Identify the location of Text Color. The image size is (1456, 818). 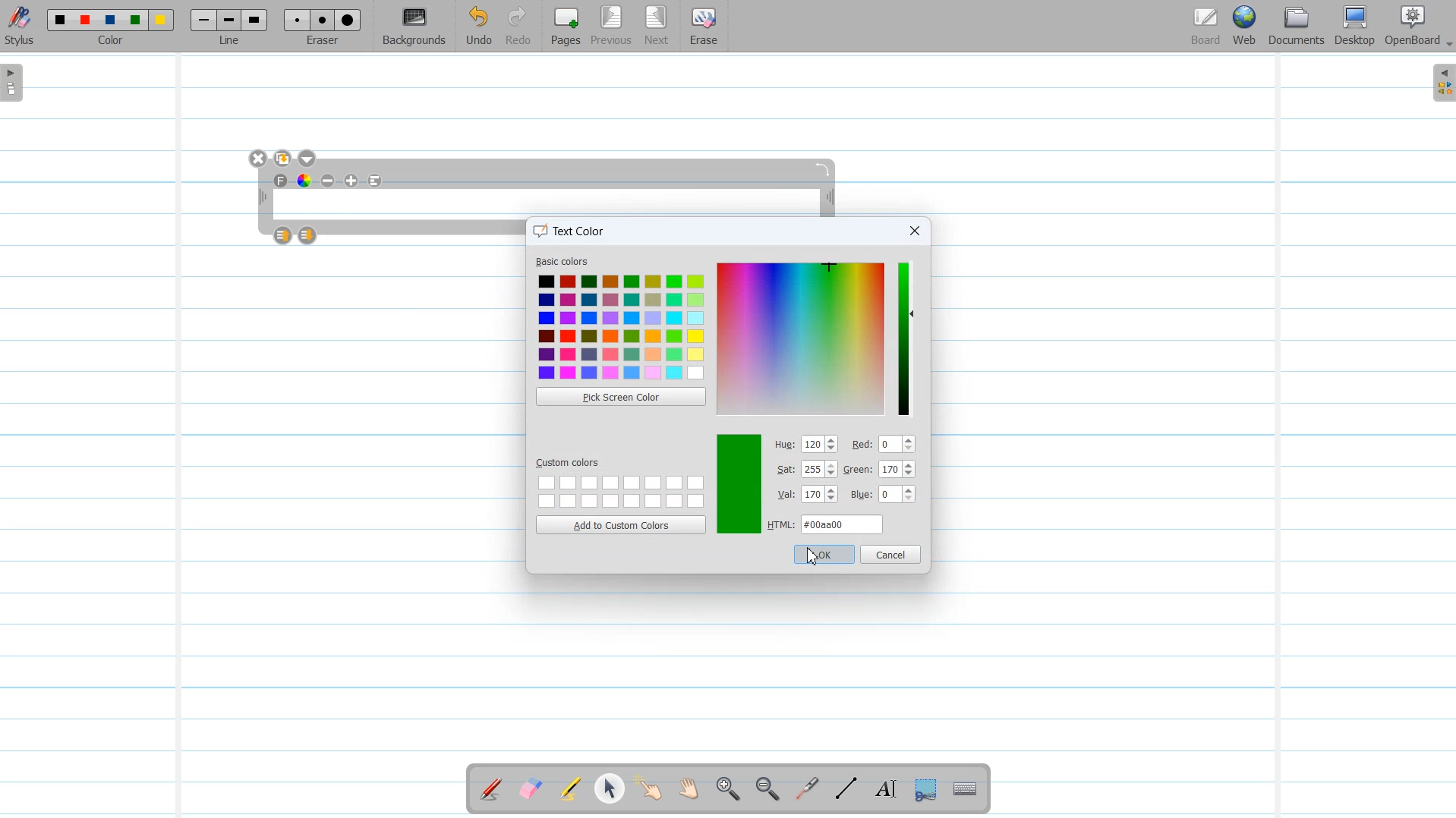
(304, 180).